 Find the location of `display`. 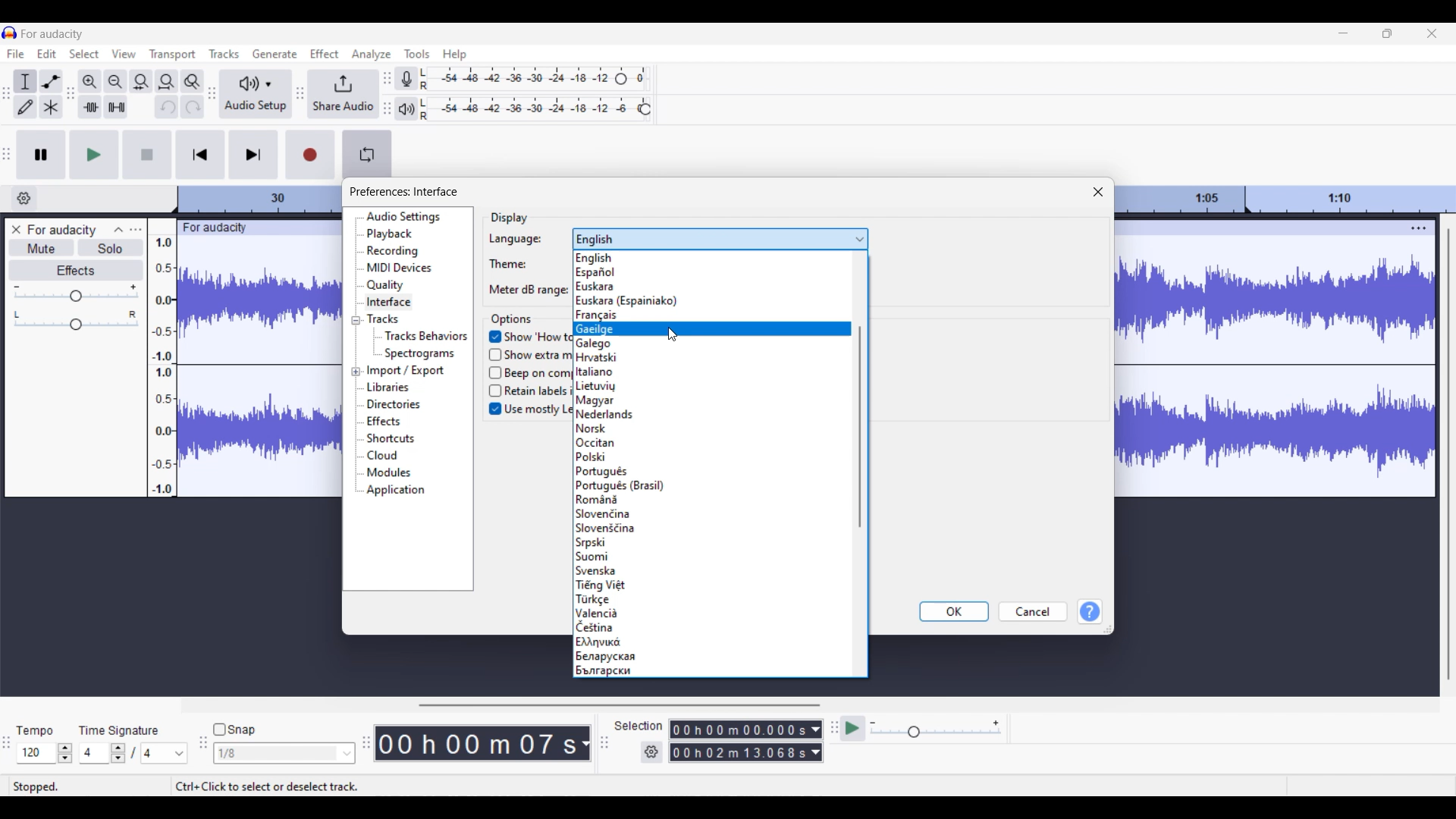

display is located at coordinates (510, 218).